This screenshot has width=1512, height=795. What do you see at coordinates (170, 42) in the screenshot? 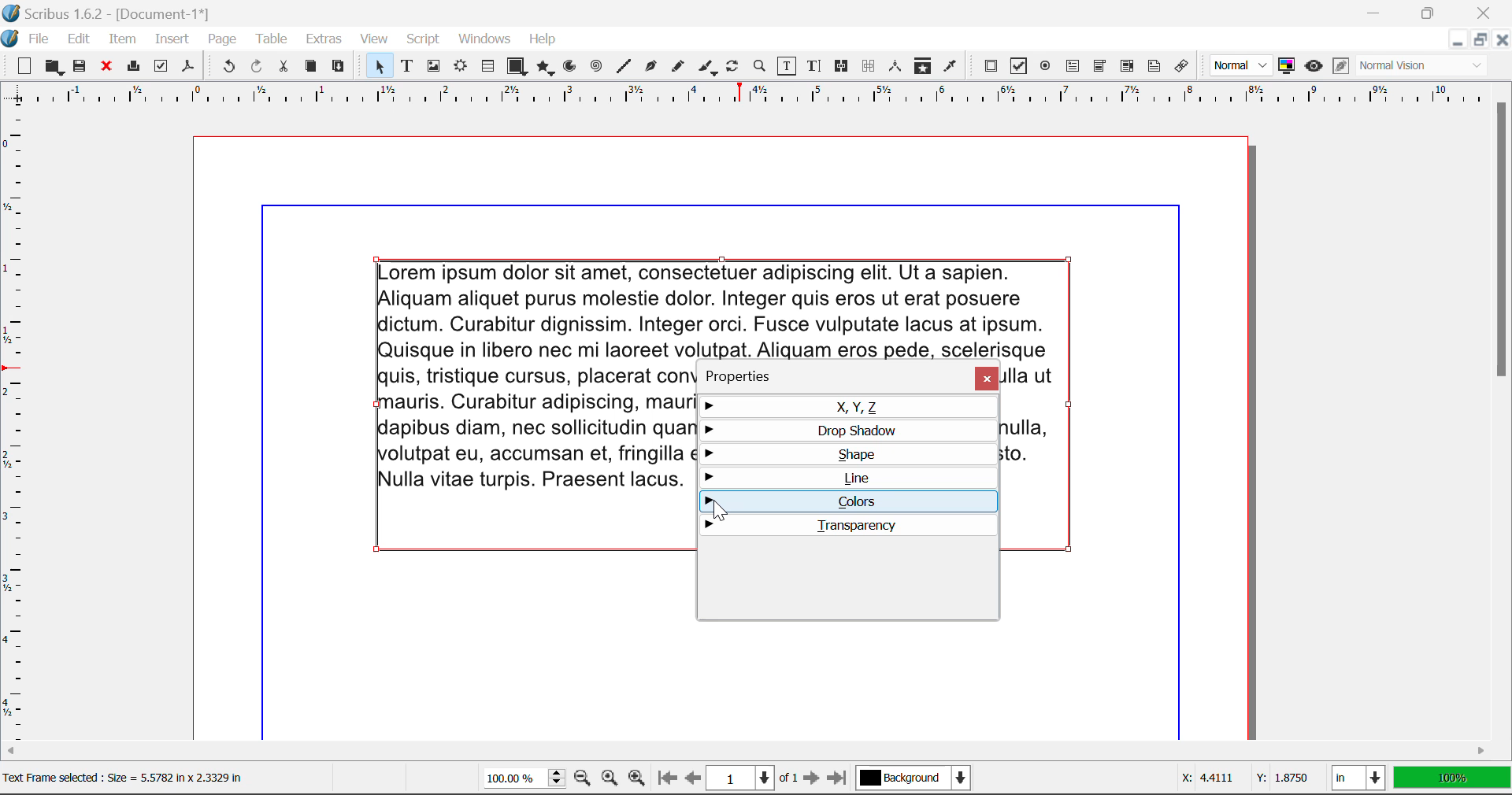
I see `Insert` at bounding box center [170, 42].